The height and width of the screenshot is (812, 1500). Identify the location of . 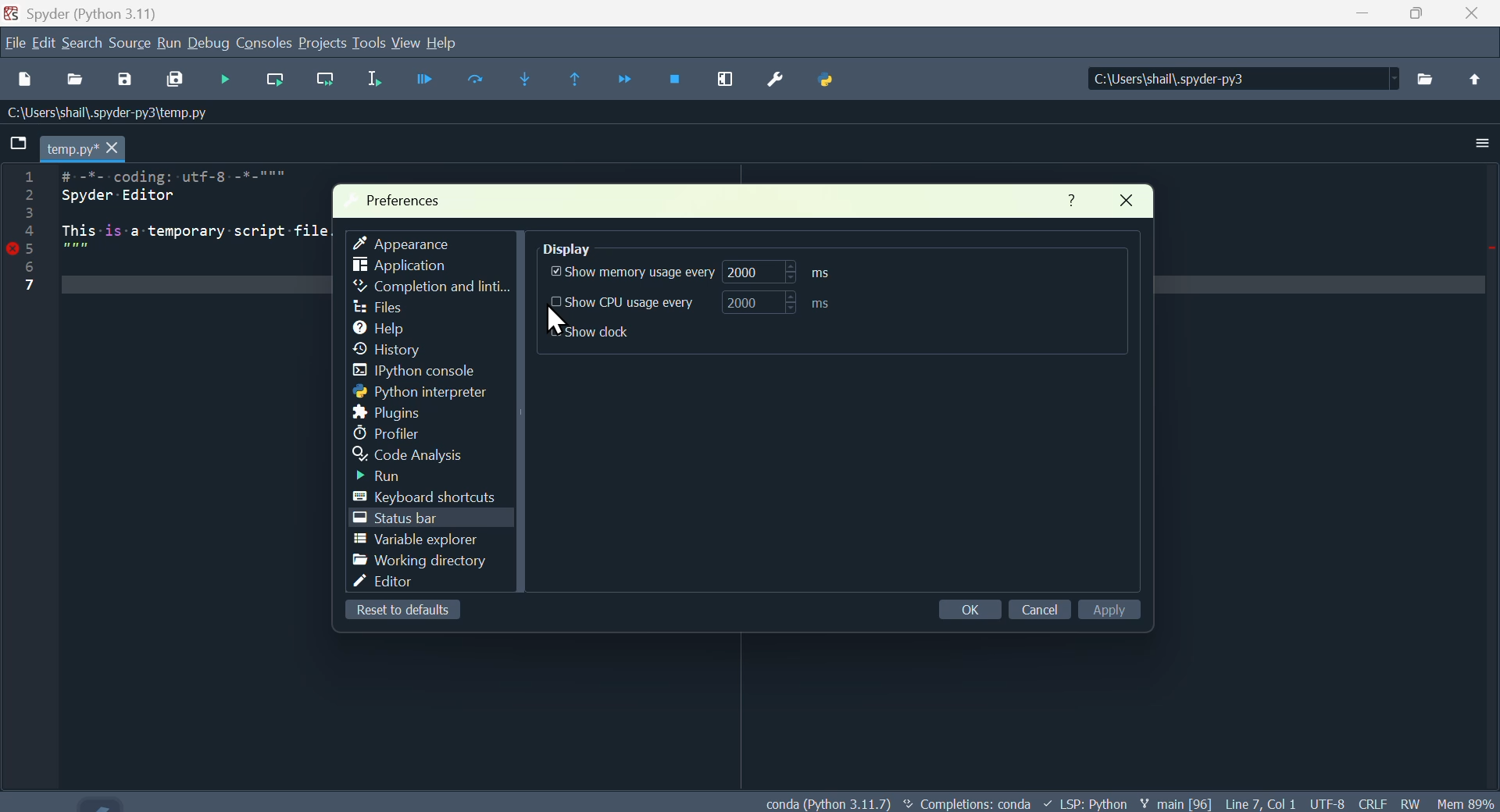
(168, 42).